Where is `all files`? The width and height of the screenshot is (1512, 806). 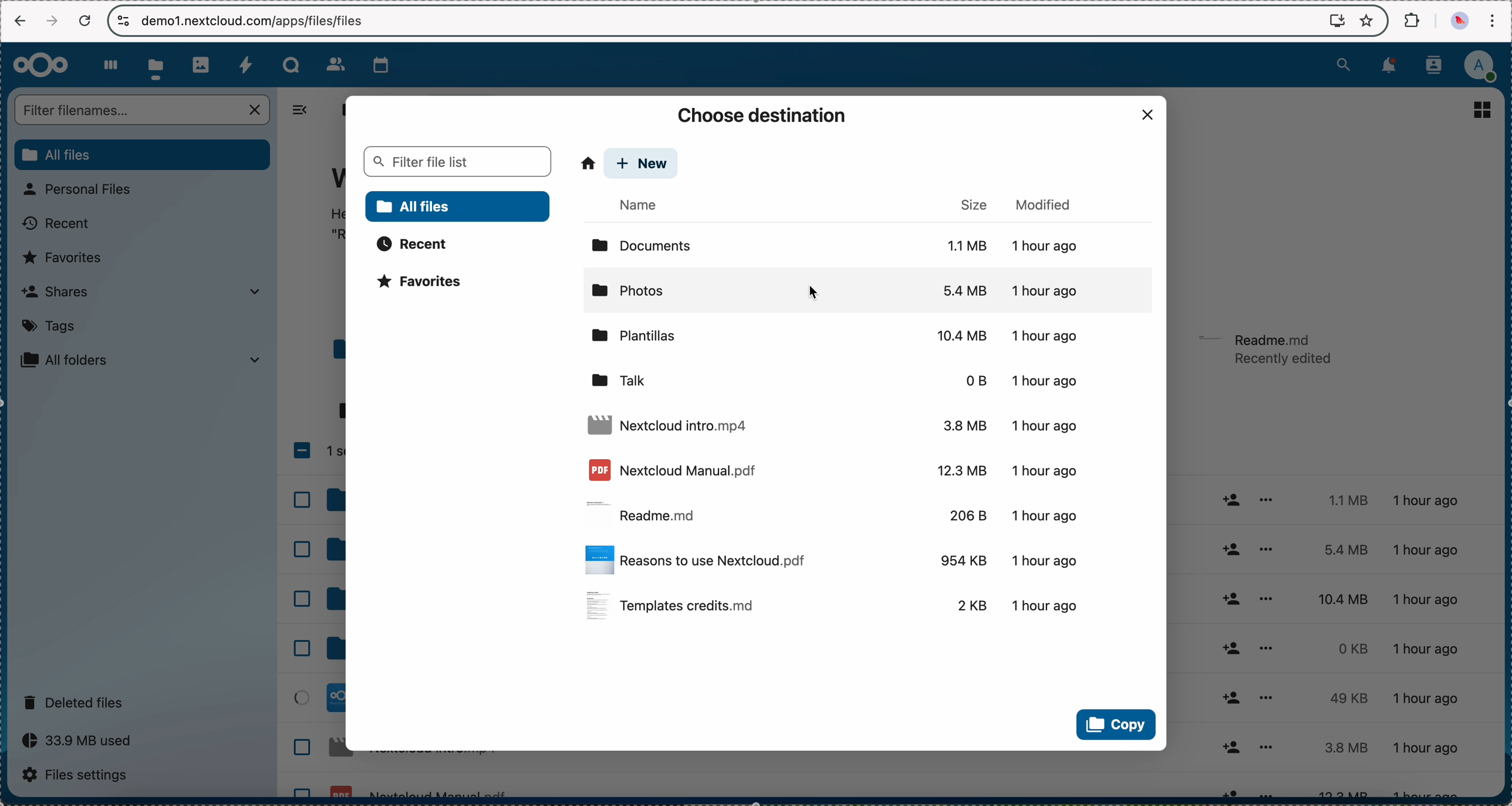 all files is located at coordinates (339, 109).